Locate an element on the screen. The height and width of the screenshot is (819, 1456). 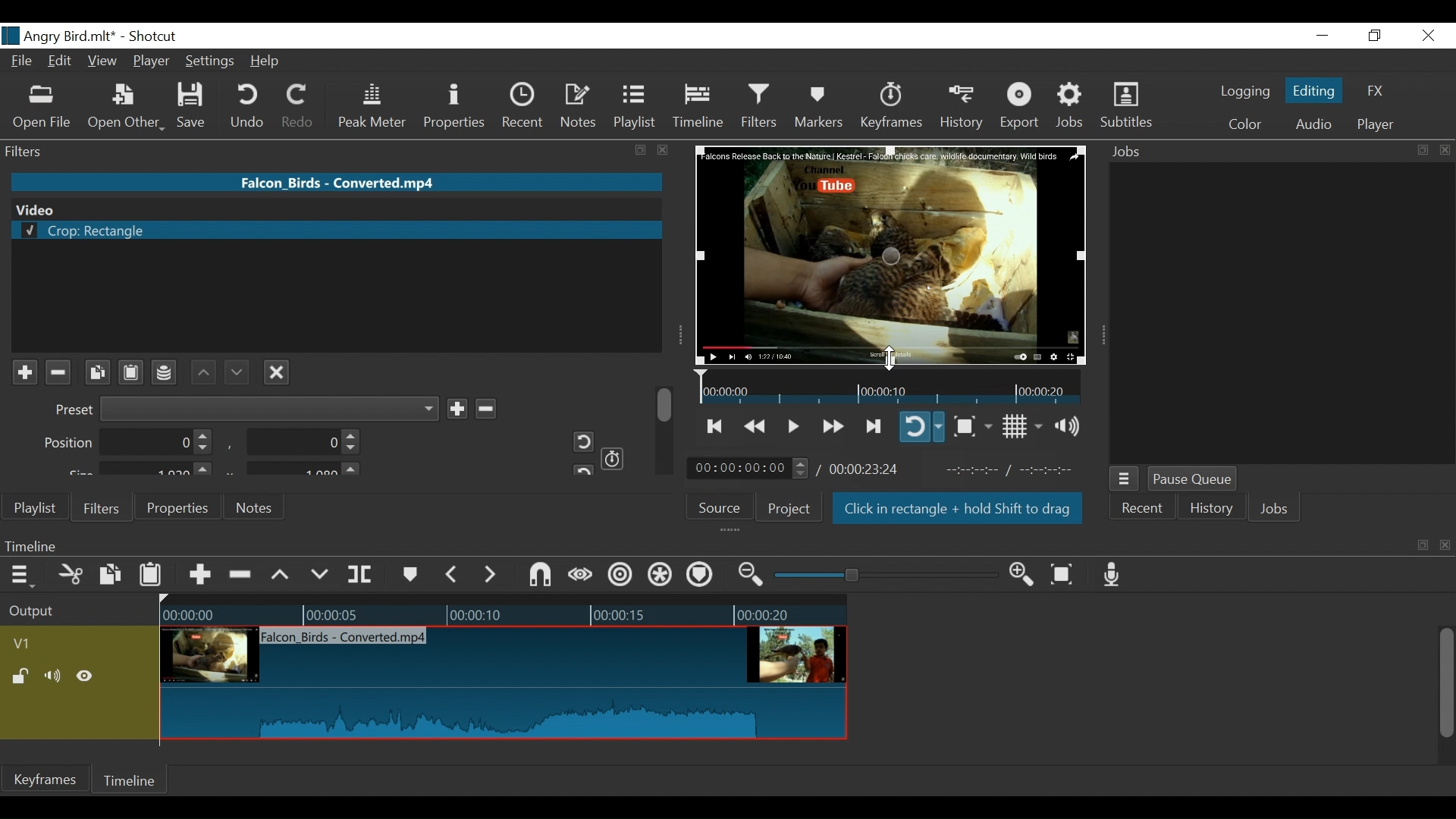
Record audio is located at coordinates (1112, 574).